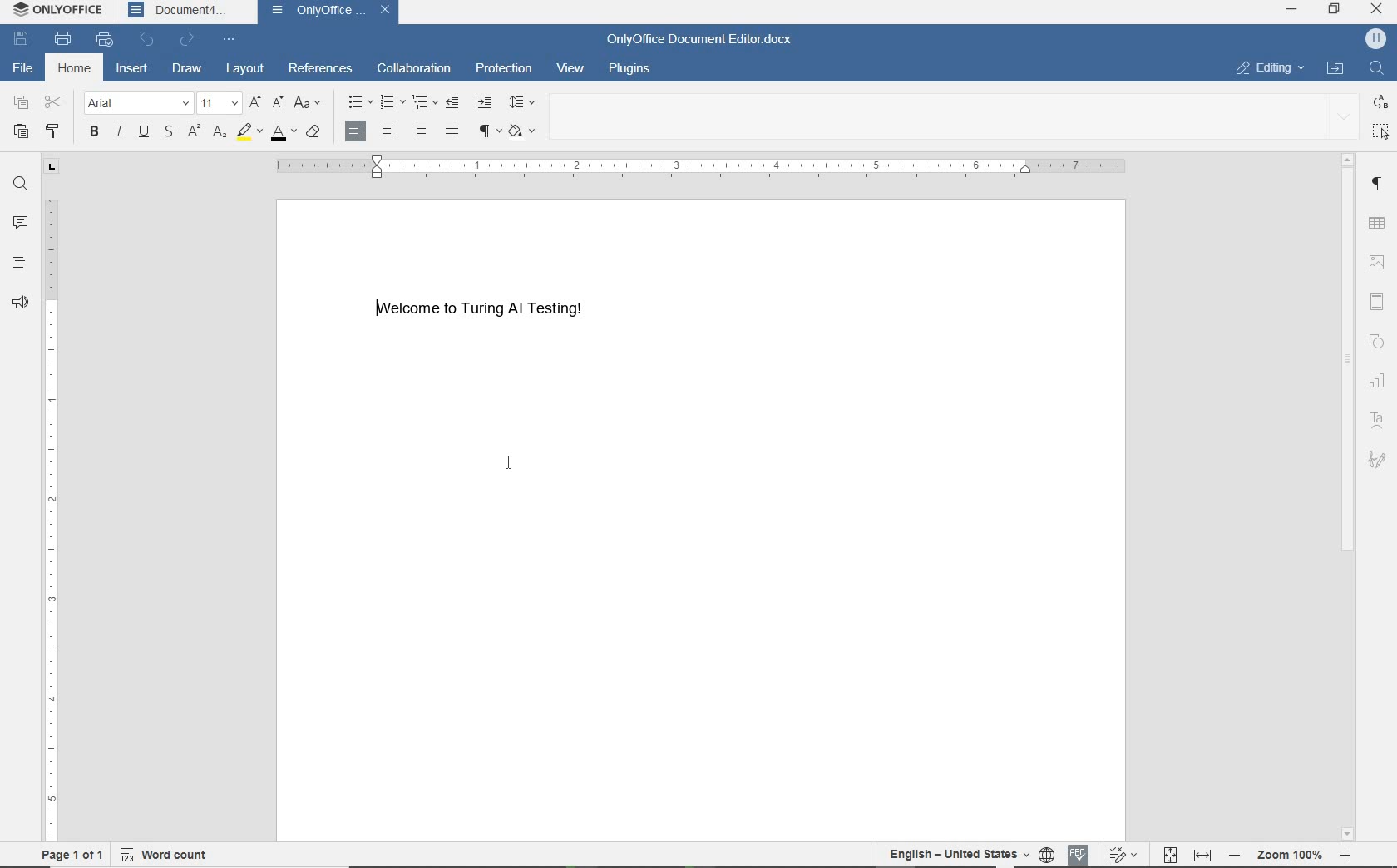 The image size is (1397, 868). Describe the element at coordinates (51, 500) in the screenshot. I see `ruler` at that location.